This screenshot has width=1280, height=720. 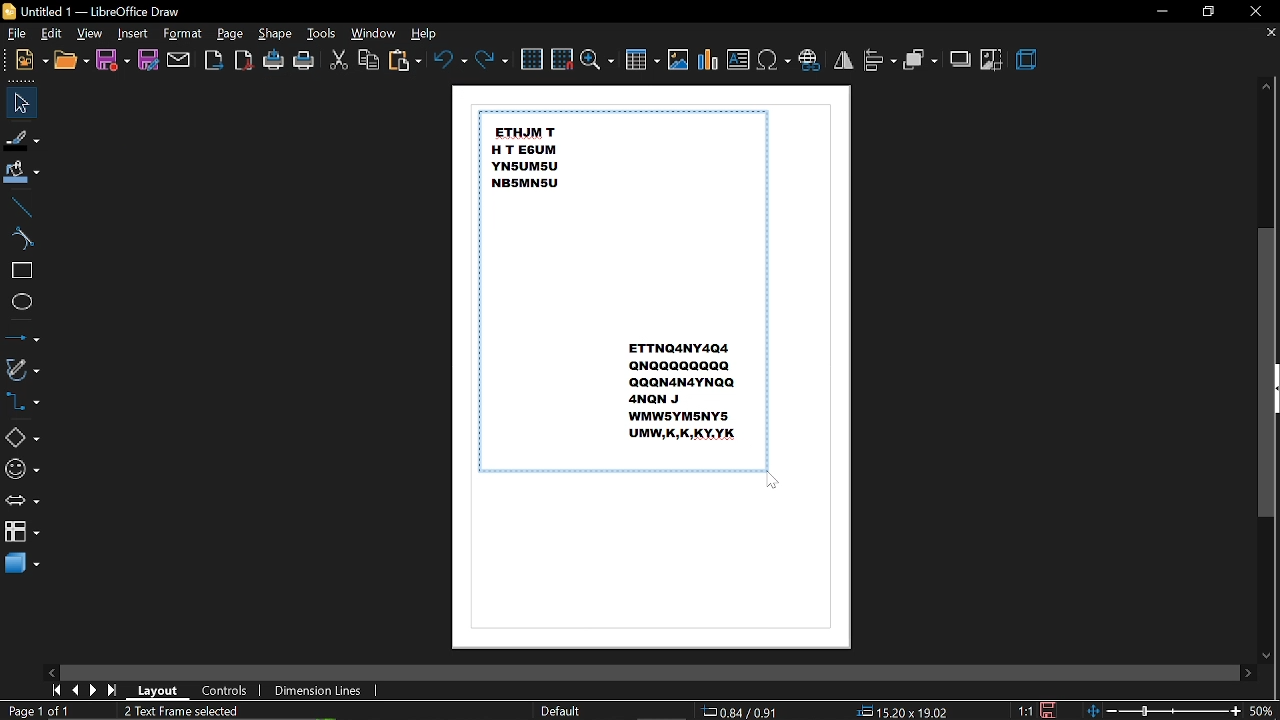 What do you see at coordinates (214, 61) in the screenshot?
I see `Export` at bounding box center [214, 61].